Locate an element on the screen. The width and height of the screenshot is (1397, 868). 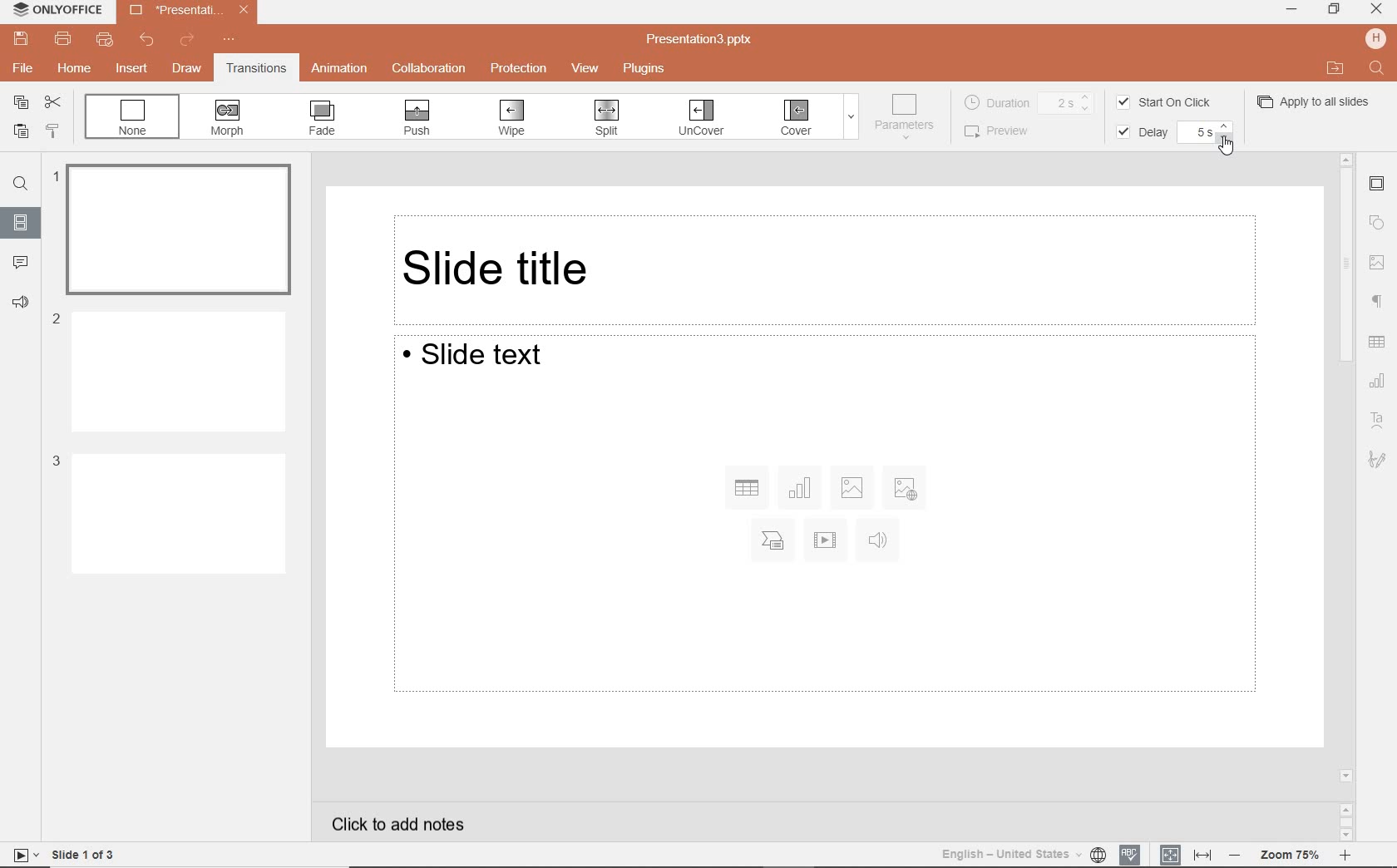
Slide 3 is located at coordinates (168, 512).